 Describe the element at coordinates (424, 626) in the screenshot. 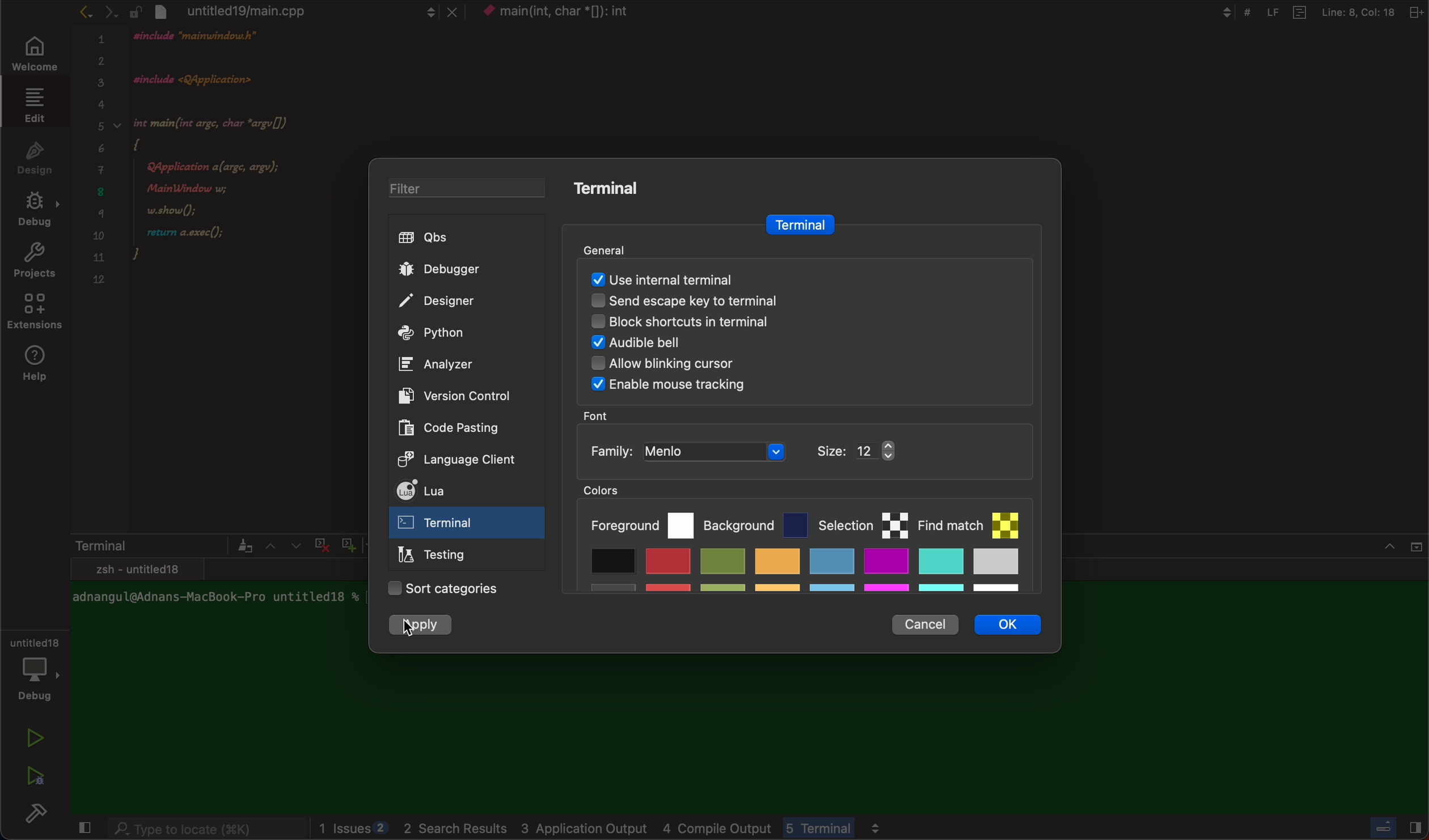

I see `apply changes` at that location.